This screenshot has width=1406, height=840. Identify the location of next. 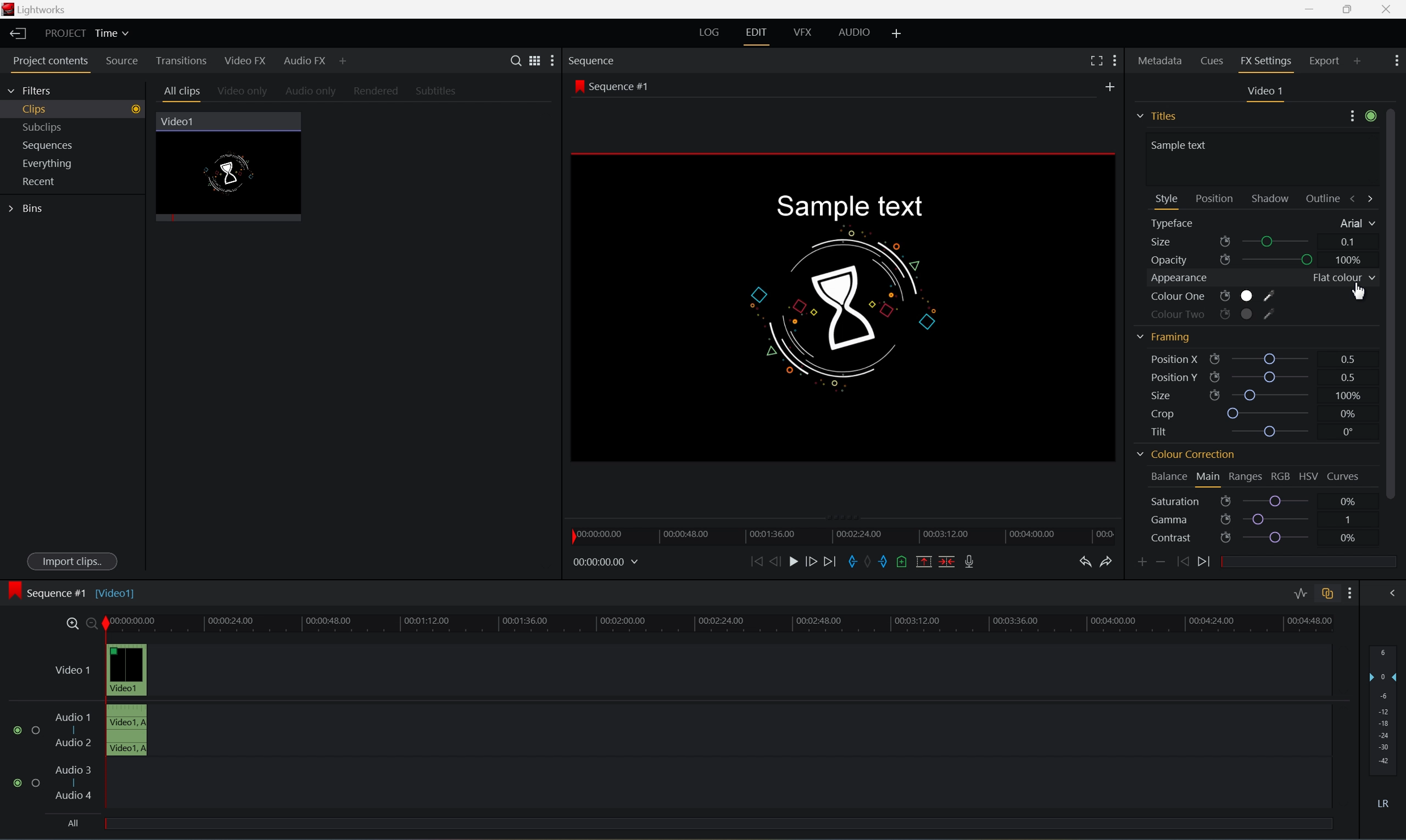
(1208, 562).